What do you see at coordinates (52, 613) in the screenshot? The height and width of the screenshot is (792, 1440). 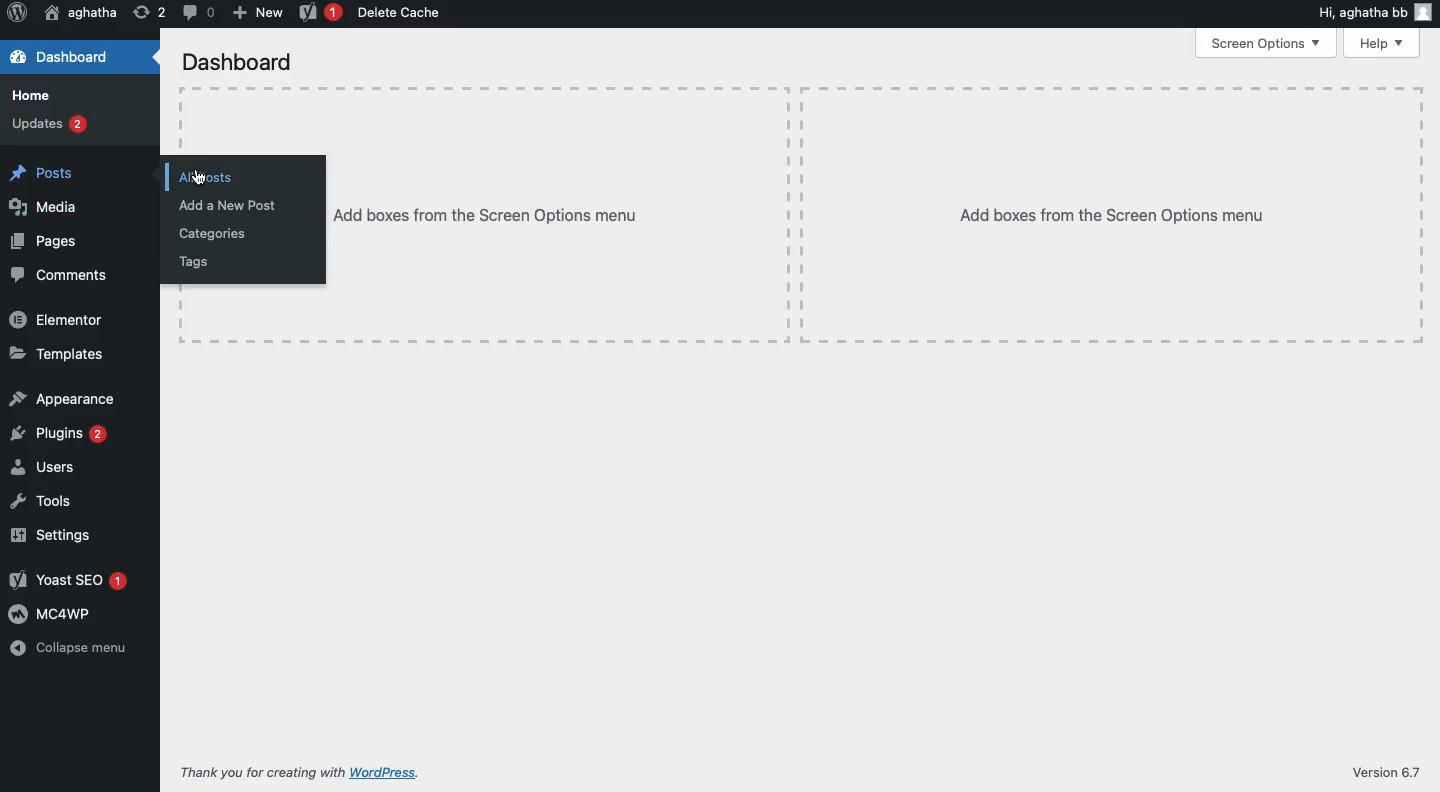 I see `mcawe` at bounding box center [52, 613].